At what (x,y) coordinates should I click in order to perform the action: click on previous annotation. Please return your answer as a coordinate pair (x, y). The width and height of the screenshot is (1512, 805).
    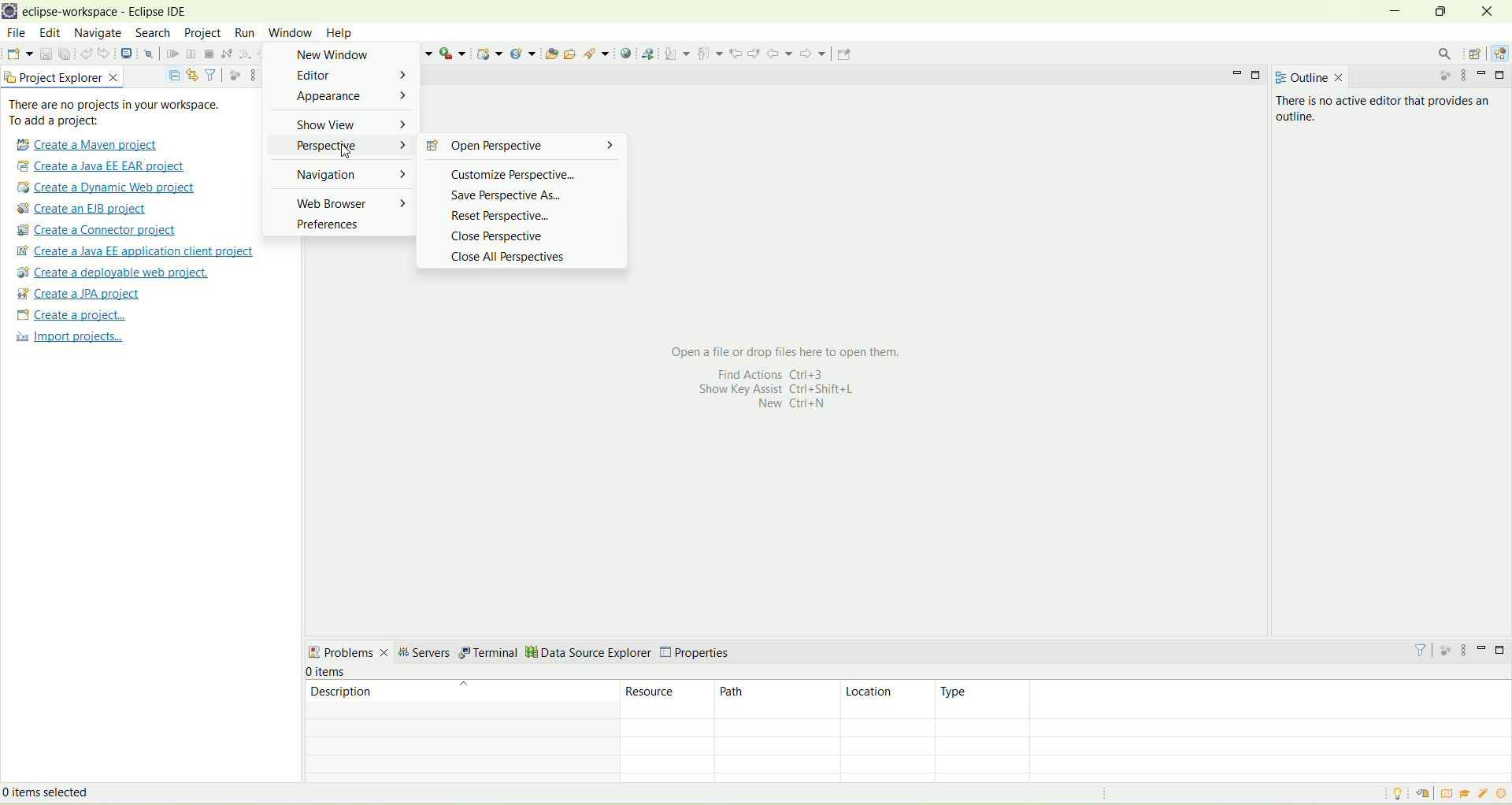
    Looking at the image, I should click on (710, 52).